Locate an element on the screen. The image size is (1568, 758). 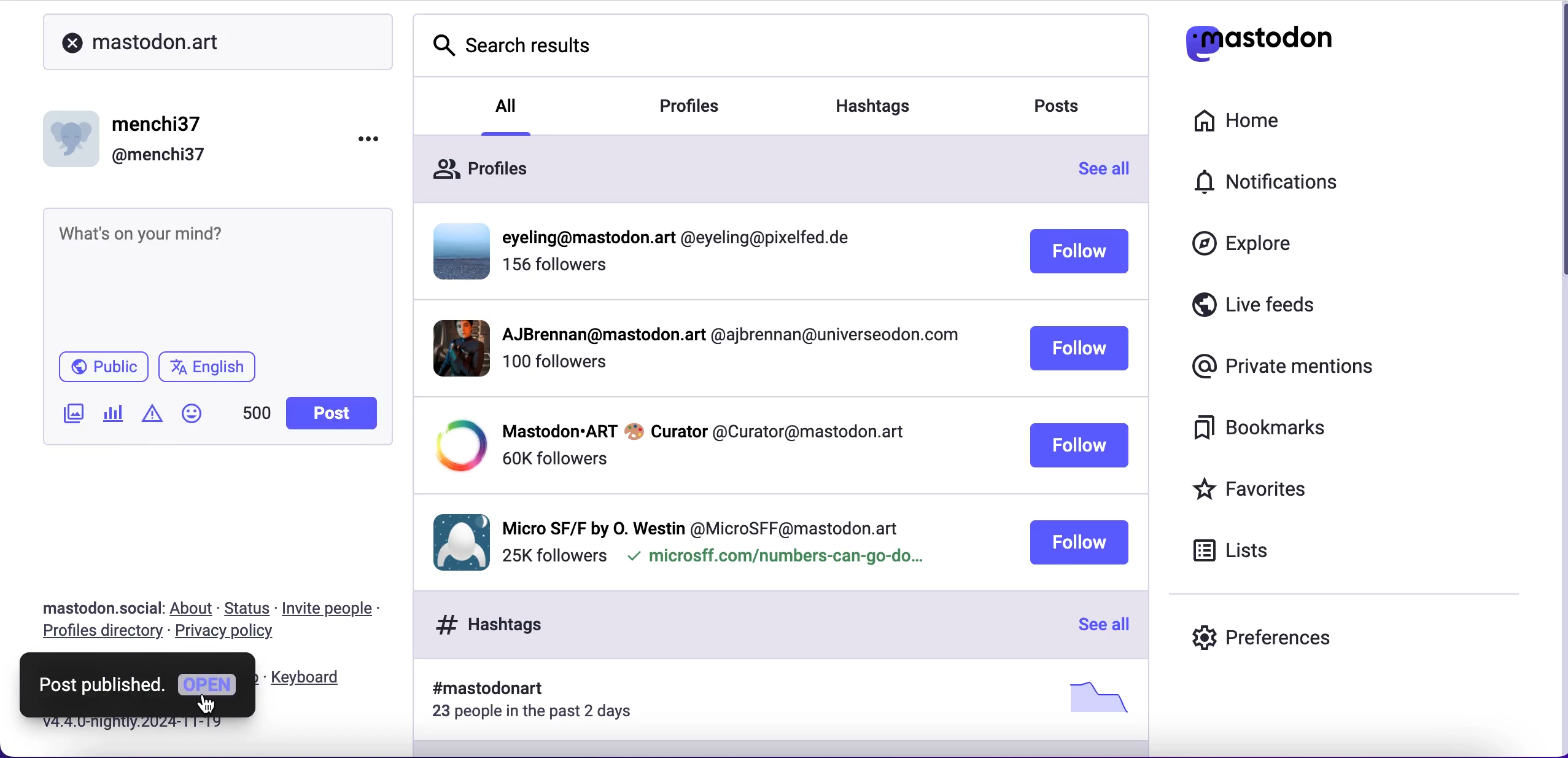
451 characters left is located at coordinates (257, 417).